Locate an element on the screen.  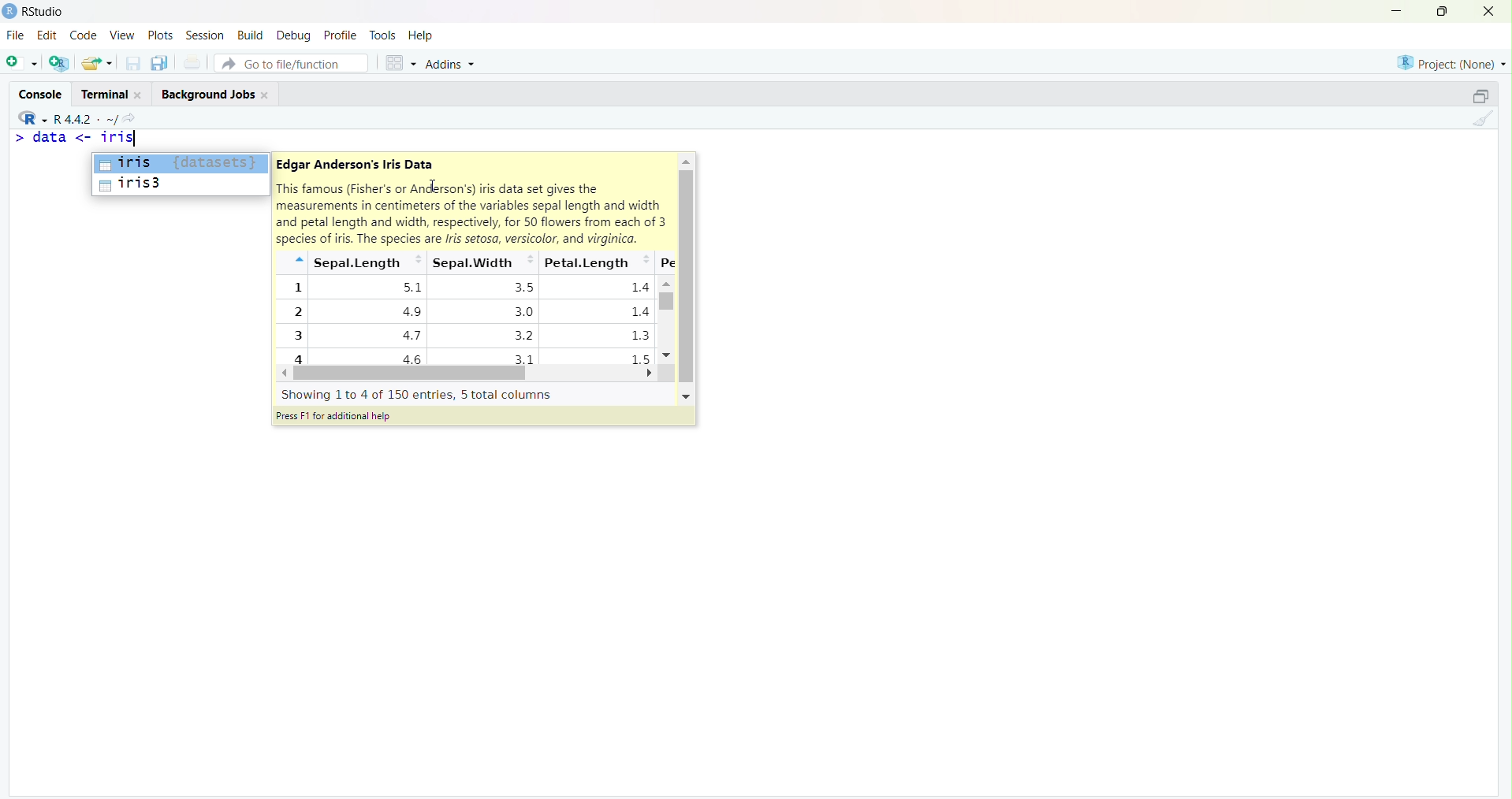
Debug is located at coordinates (295, 34).